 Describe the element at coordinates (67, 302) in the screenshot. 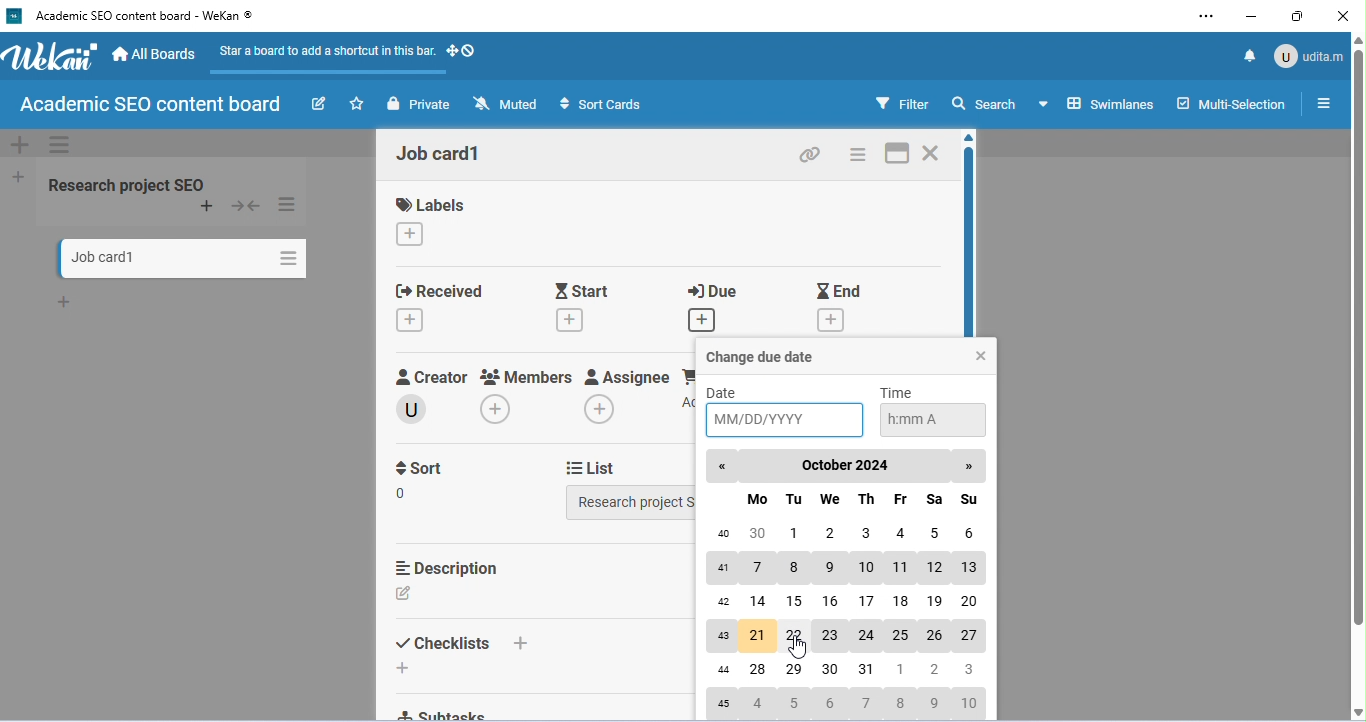

I see `add card to bottom` at that location.